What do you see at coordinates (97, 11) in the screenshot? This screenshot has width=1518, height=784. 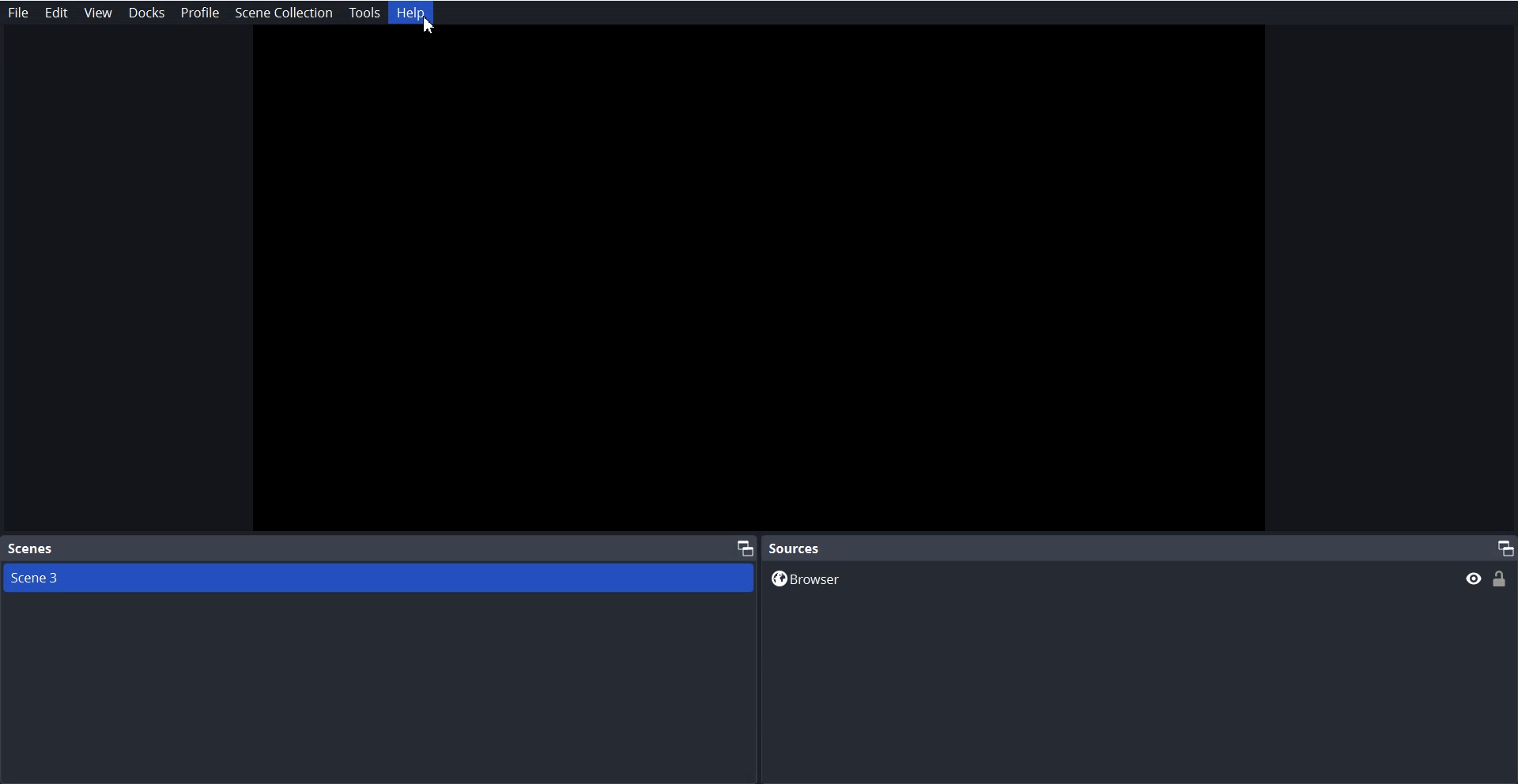 I see `View` at bounding box center [97, 11].